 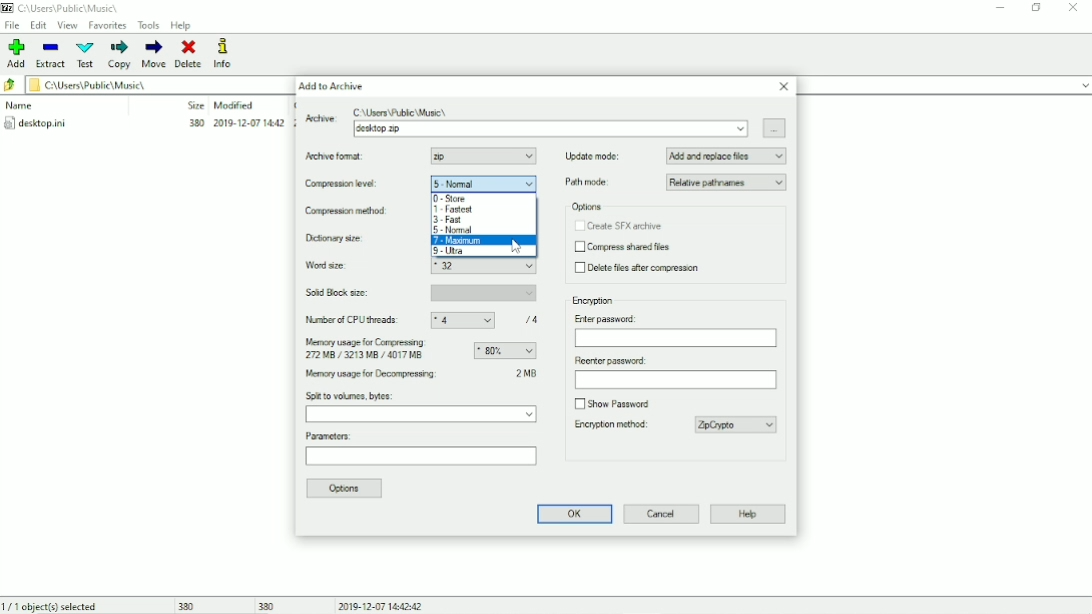 I want to click on Solid block size, so click(x=421, y=293).